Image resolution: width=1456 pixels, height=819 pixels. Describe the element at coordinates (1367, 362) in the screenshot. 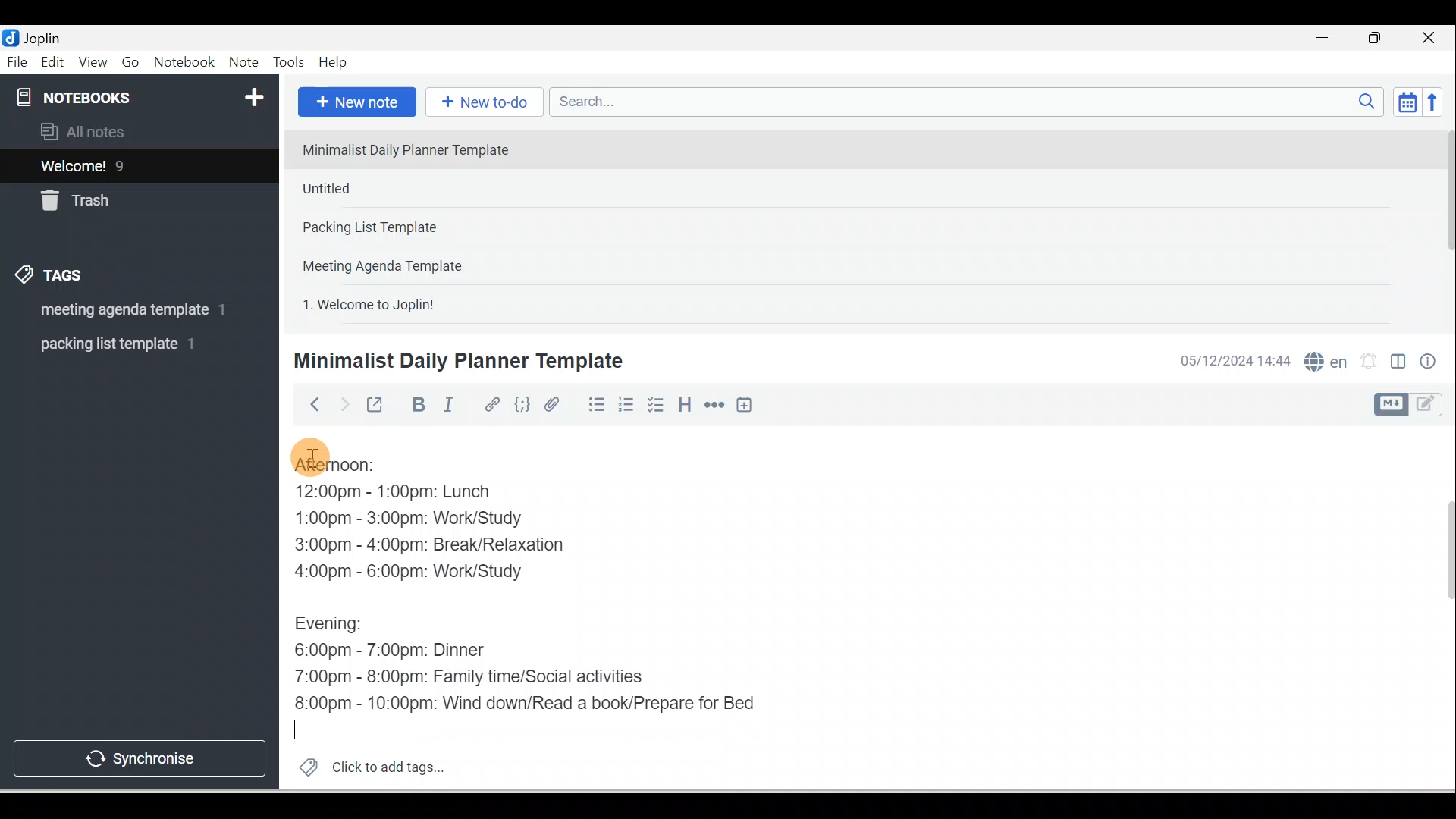

I see `Set alarm` at that location.